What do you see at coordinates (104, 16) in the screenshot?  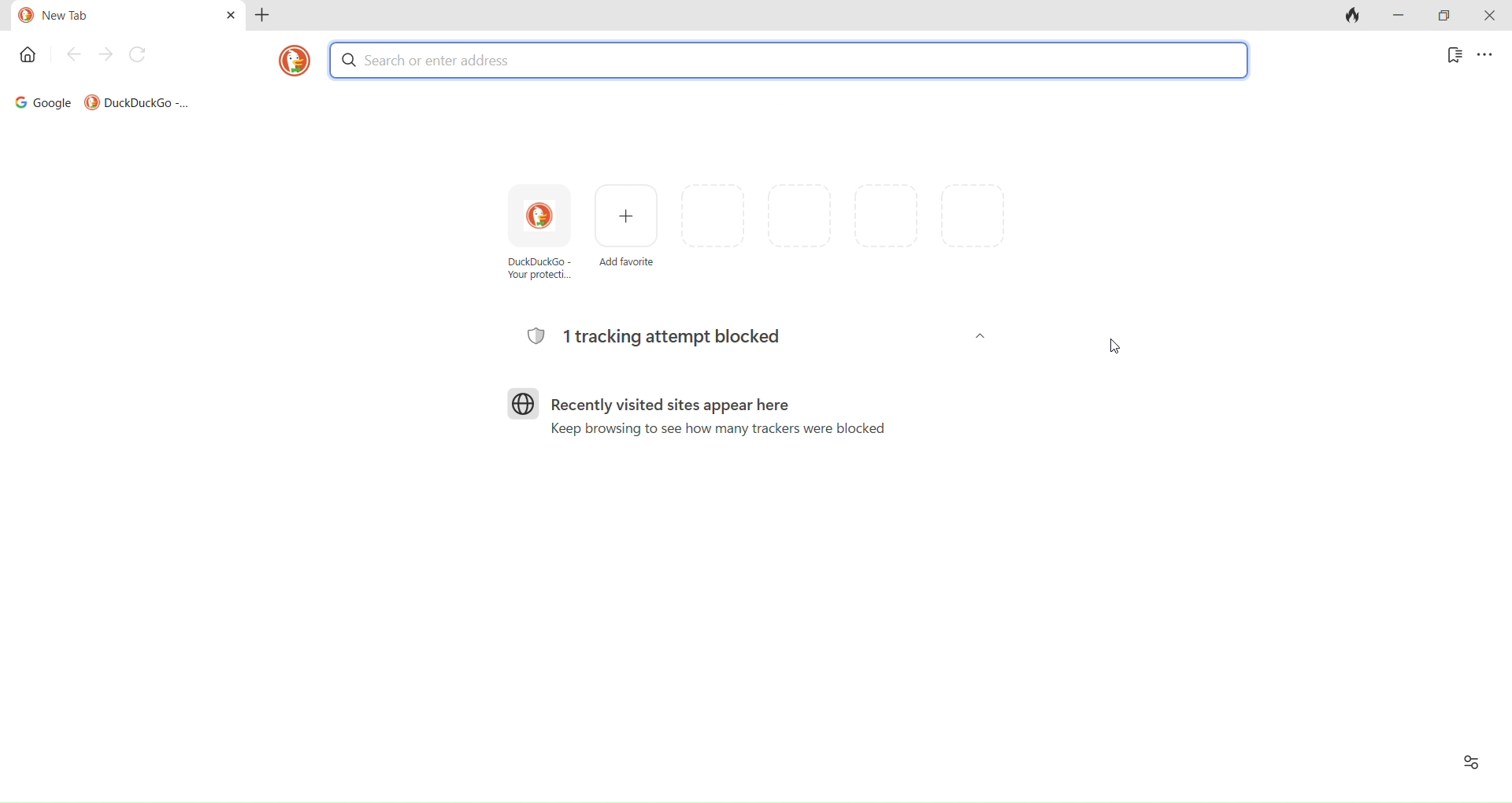 I see `new tab` at bounding box center [104, 16].